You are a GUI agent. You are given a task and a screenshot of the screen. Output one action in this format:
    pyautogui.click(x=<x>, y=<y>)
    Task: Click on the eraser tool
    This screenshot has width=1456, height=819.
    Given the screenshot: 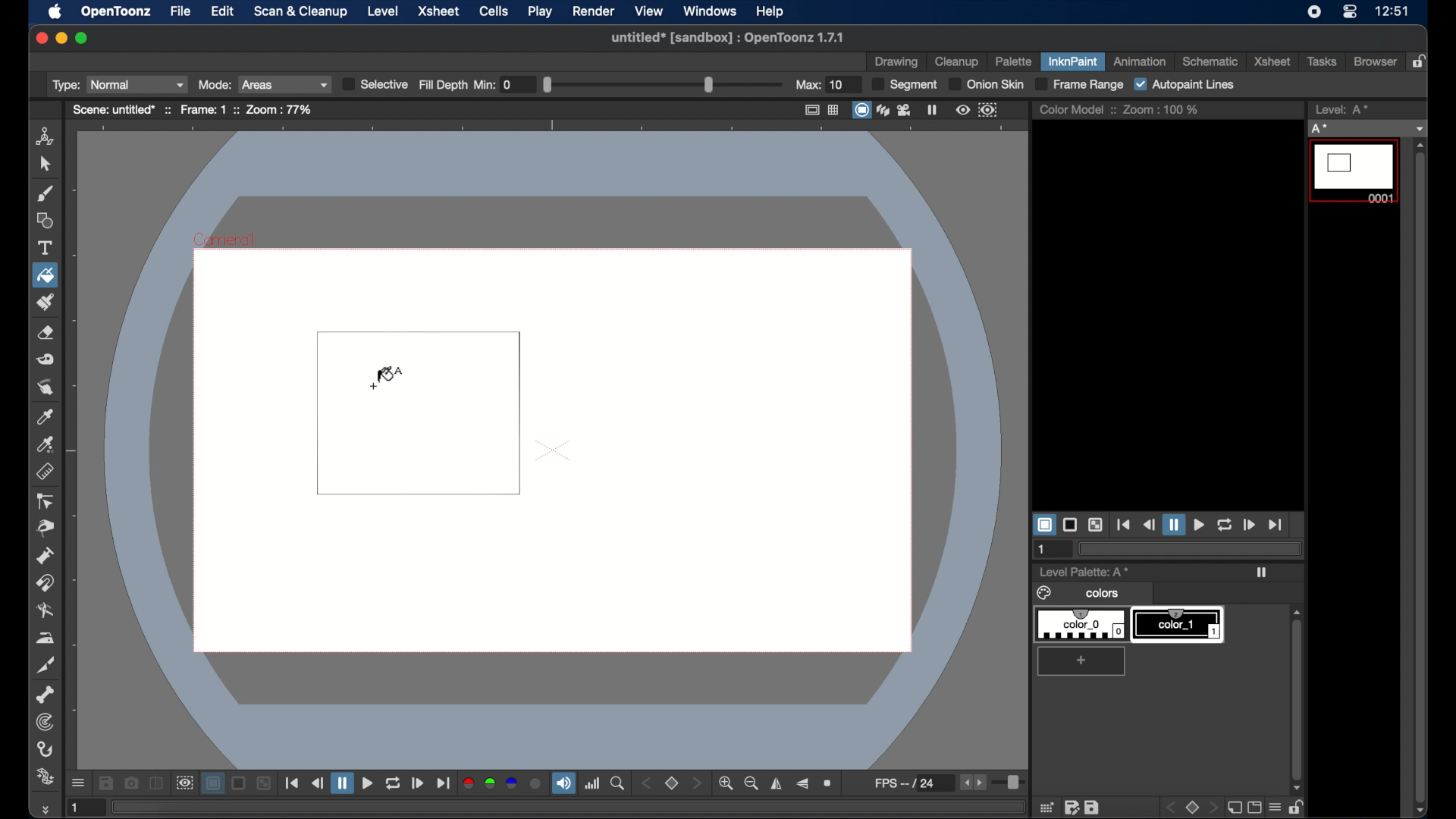 What is the action you would take?
    pyautogui.click(x=45, y=333)
    